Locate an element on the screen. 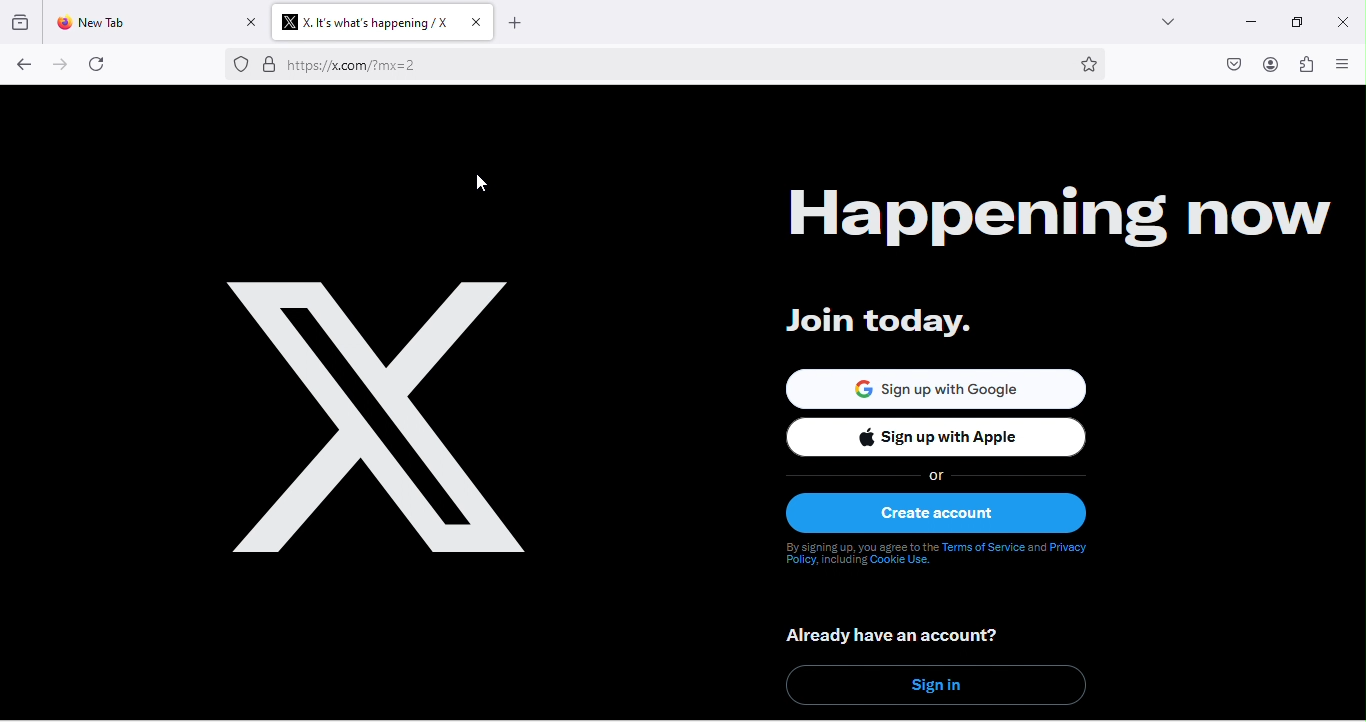 Image resolution: width=1366 pixels, height=722 pixels. happening now is located at coordinates (1037, 214).